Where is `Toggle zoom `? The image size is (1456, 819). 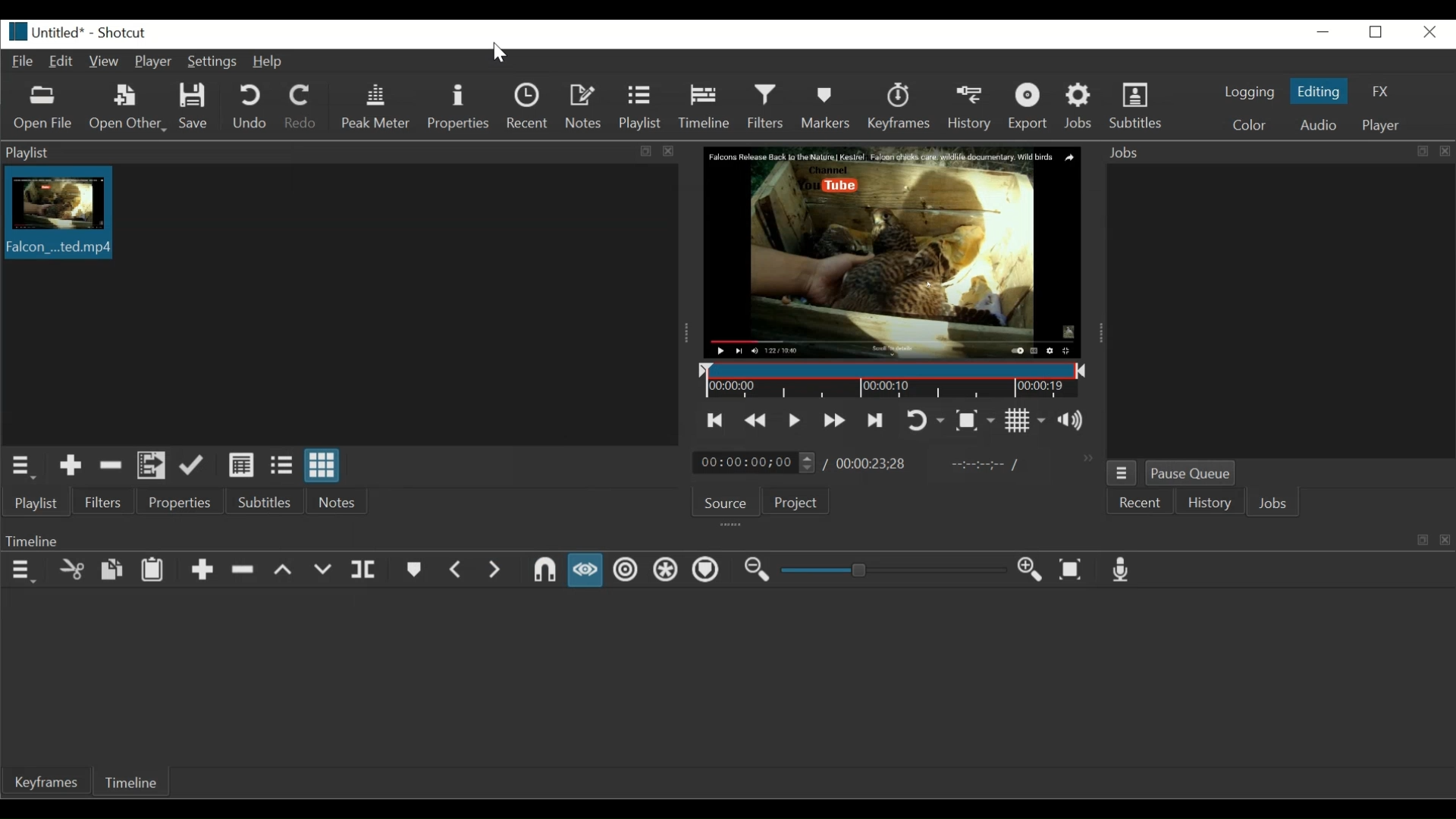
Toggle zoom  is located at coordinates (976, 419).